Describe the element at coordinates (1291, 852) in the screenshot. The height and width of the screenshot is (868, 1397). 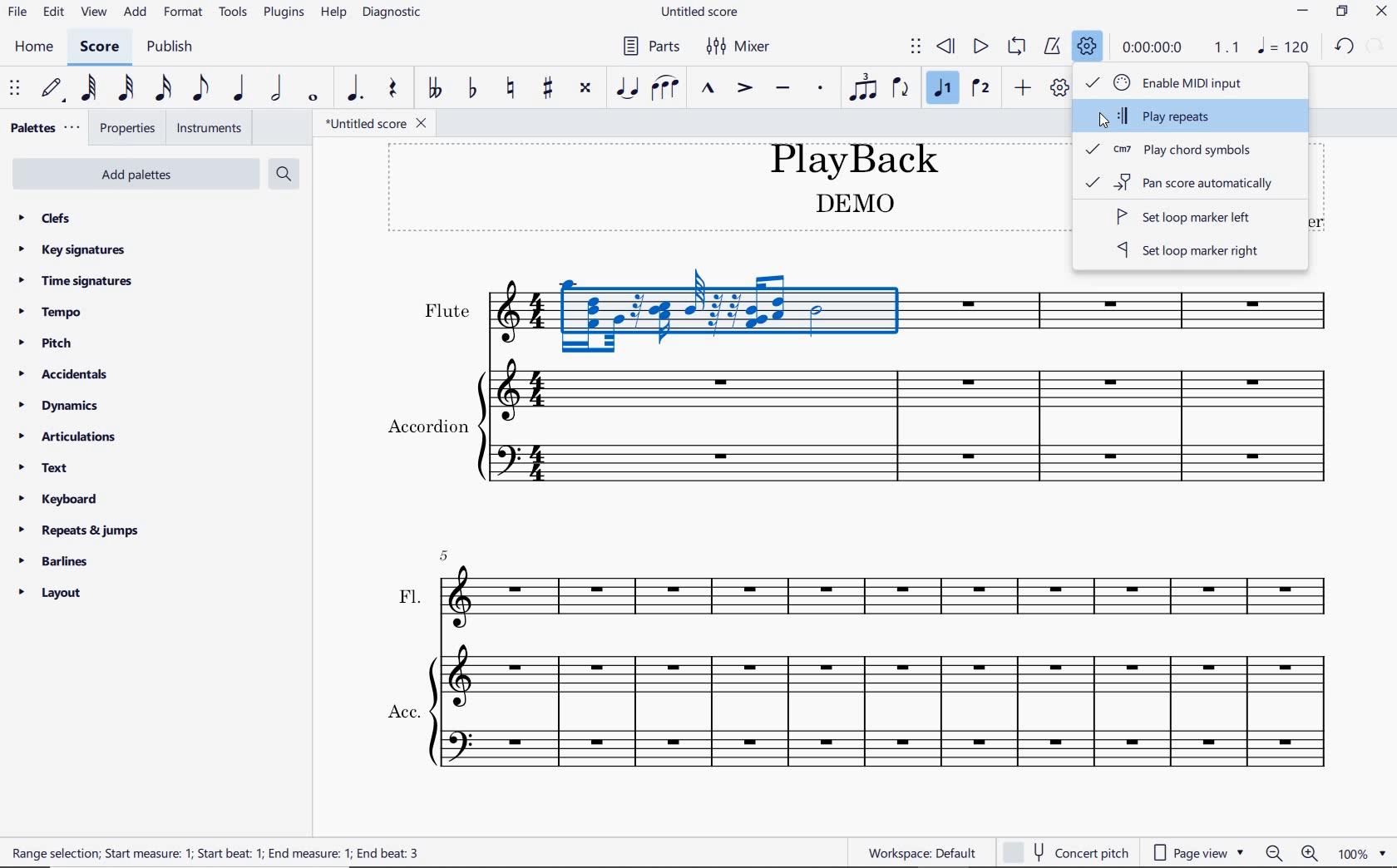
I see `ZOOM OUT OR ZOOM IN` at that location.